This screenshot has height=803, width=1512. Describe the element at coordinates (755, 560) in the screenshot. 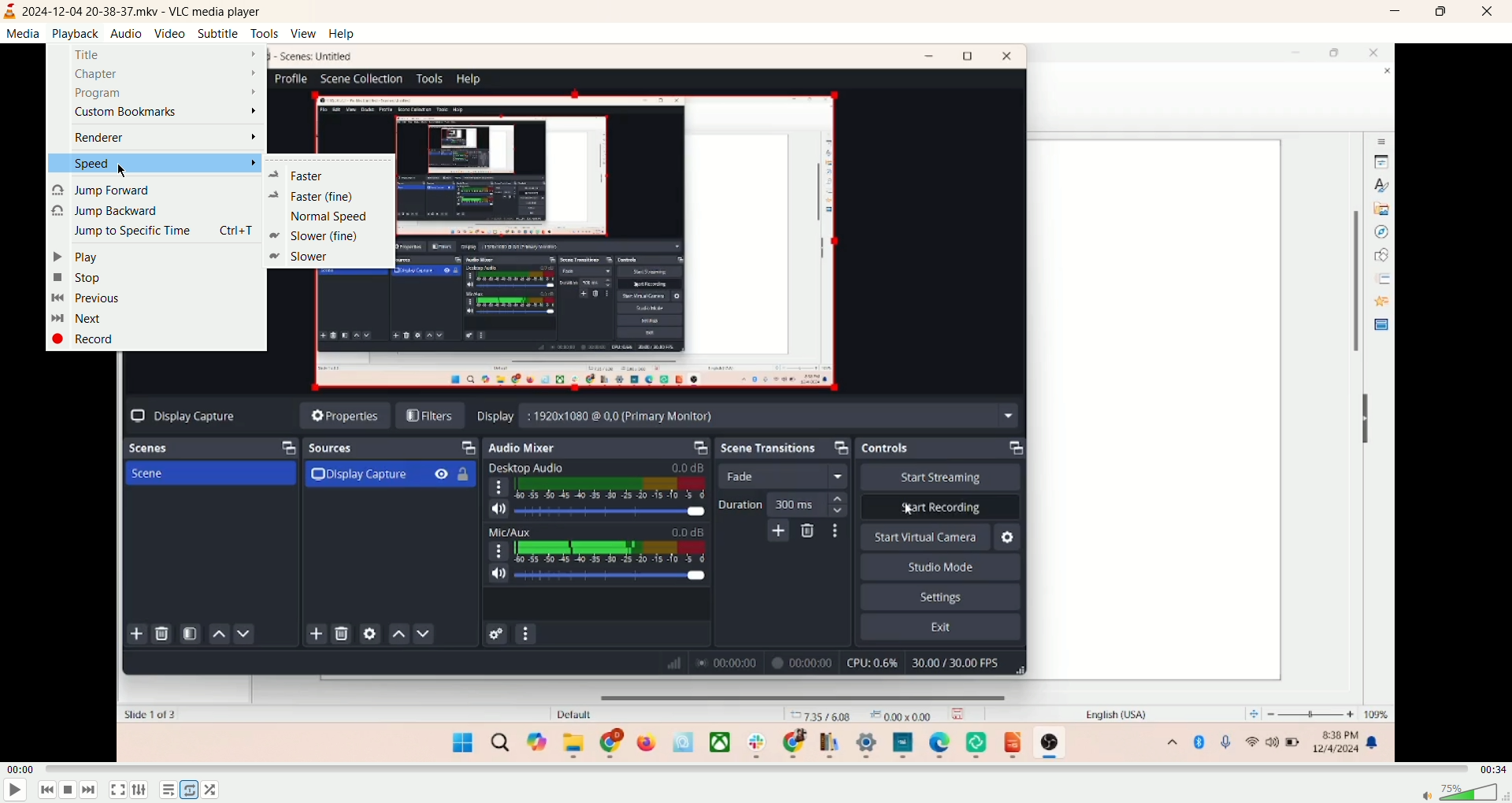

I see `main screen` at that location.